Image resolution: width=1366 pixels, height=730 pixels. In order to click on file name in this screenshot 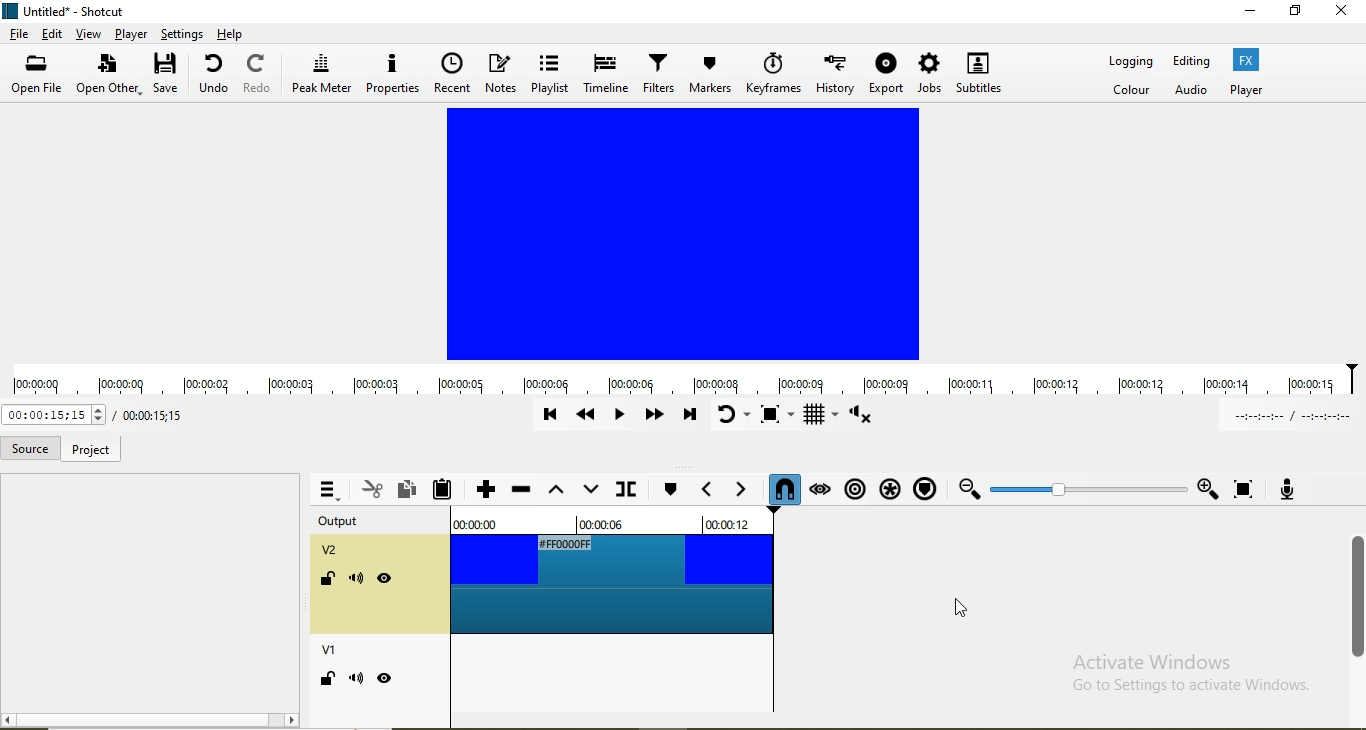, I will do `click(67, 11)`.